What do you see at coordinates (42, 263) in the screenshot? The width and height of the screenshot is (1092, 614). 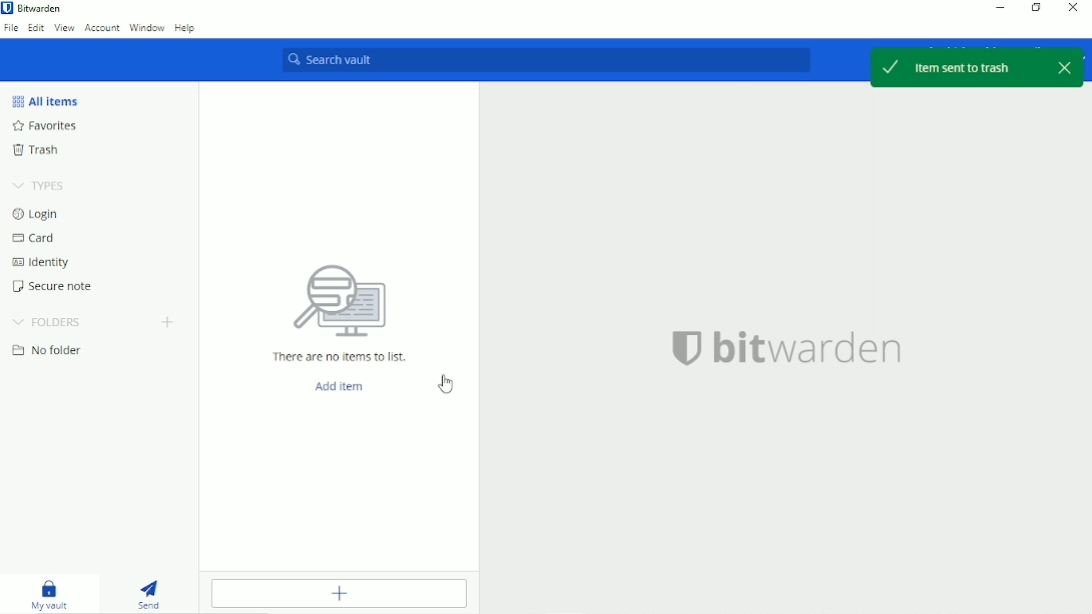 I see `Identity` at bounding box center [42, 263].